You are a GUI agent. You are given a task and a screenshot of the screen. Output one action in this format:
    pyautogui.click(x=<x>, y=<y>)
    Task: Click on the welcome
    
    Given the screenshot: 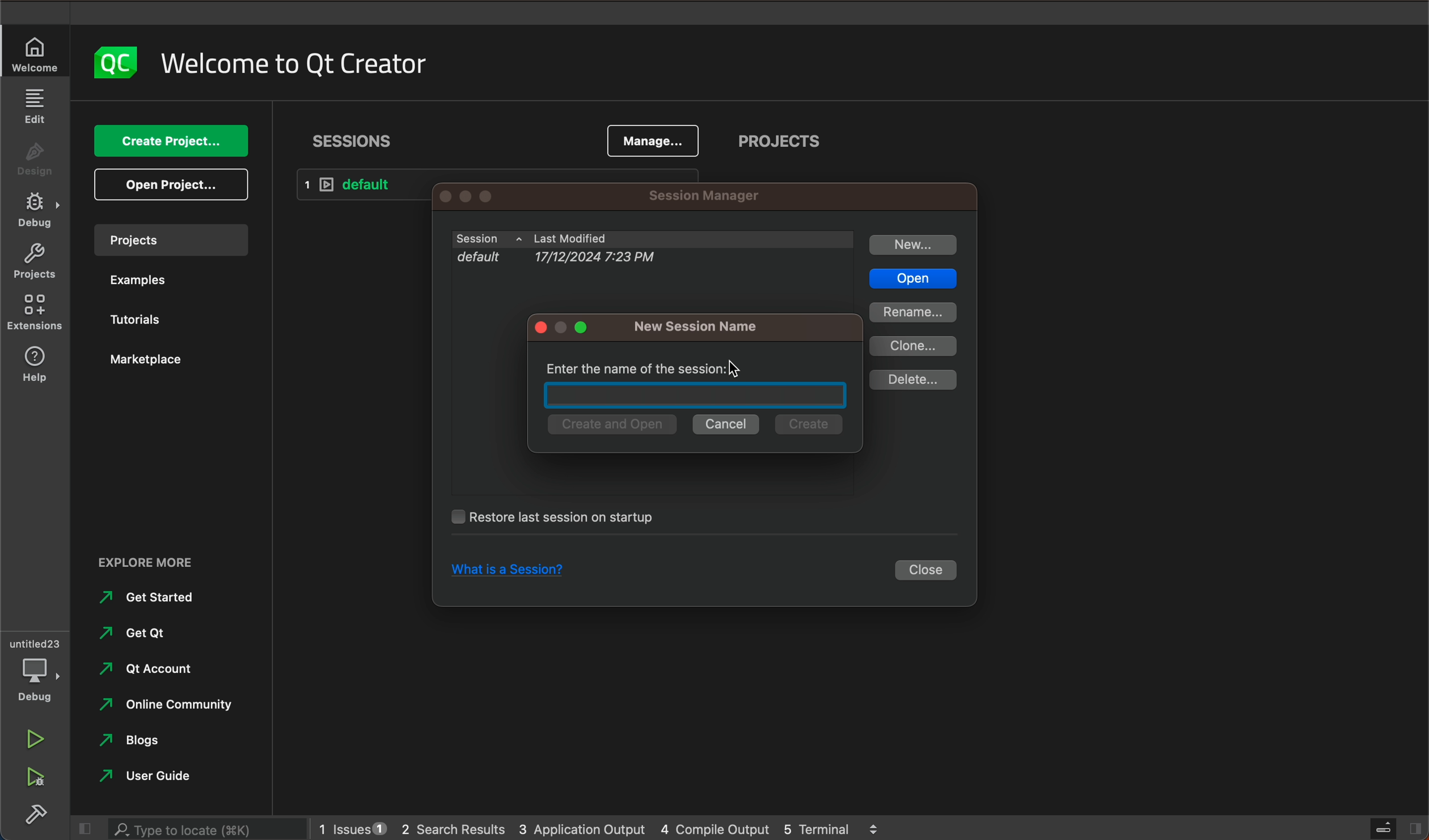 What is the action you would take?
    pyautogui.click(x=36, y=55)
    